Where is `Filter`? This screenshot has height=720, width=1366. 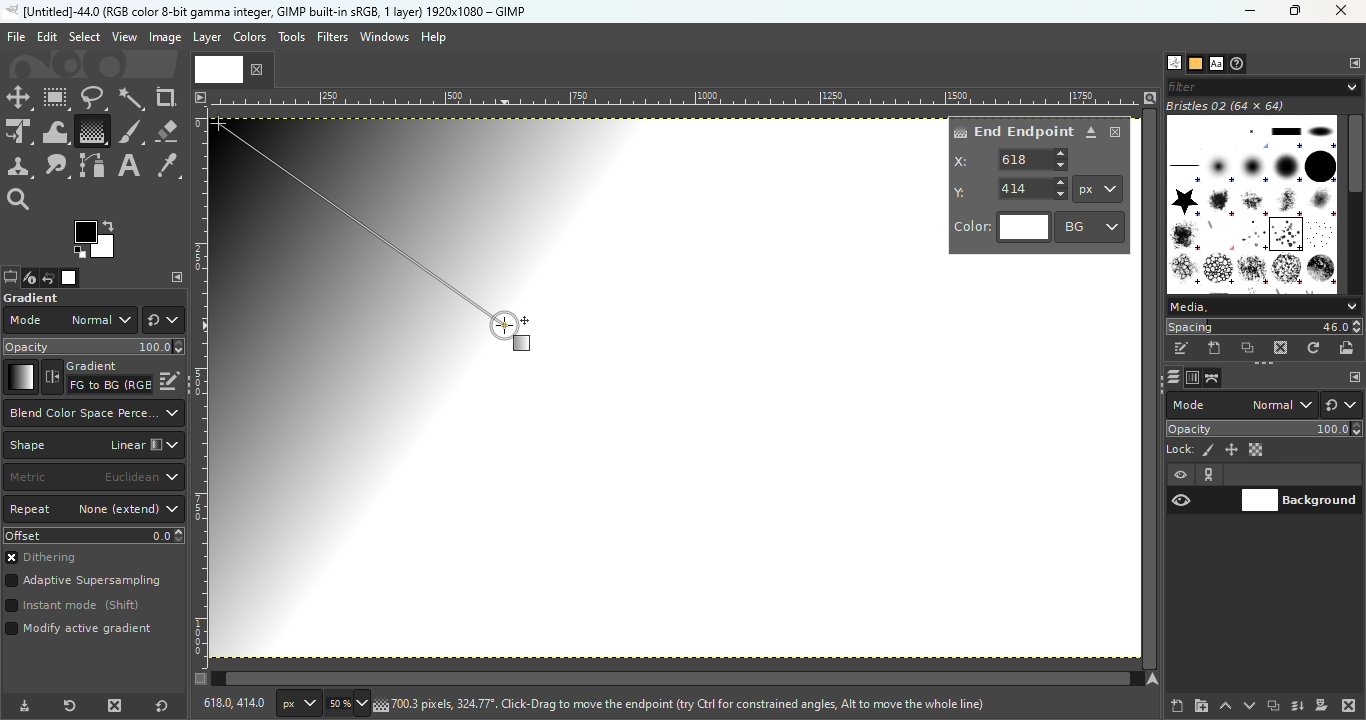
Filter is located at coordinates (1264, 86).